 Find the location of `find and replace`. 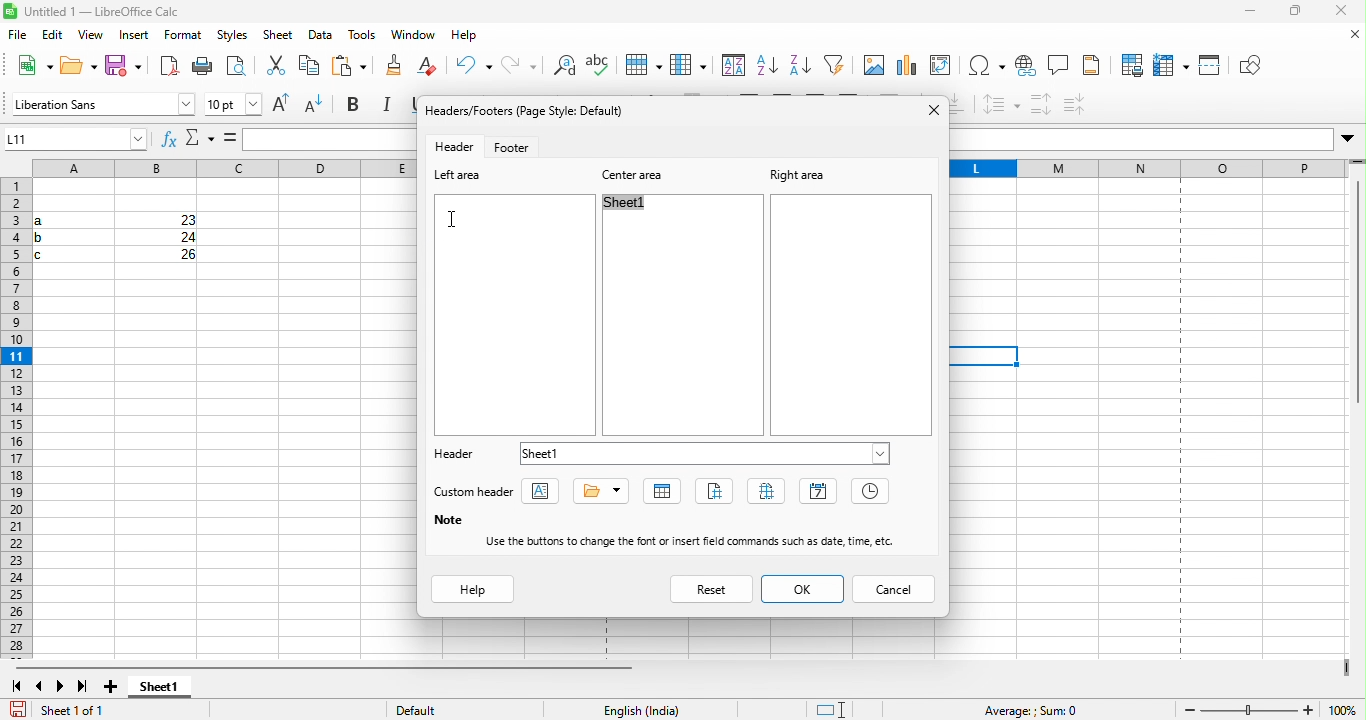

find and replace is located at coordinates (520, 67).